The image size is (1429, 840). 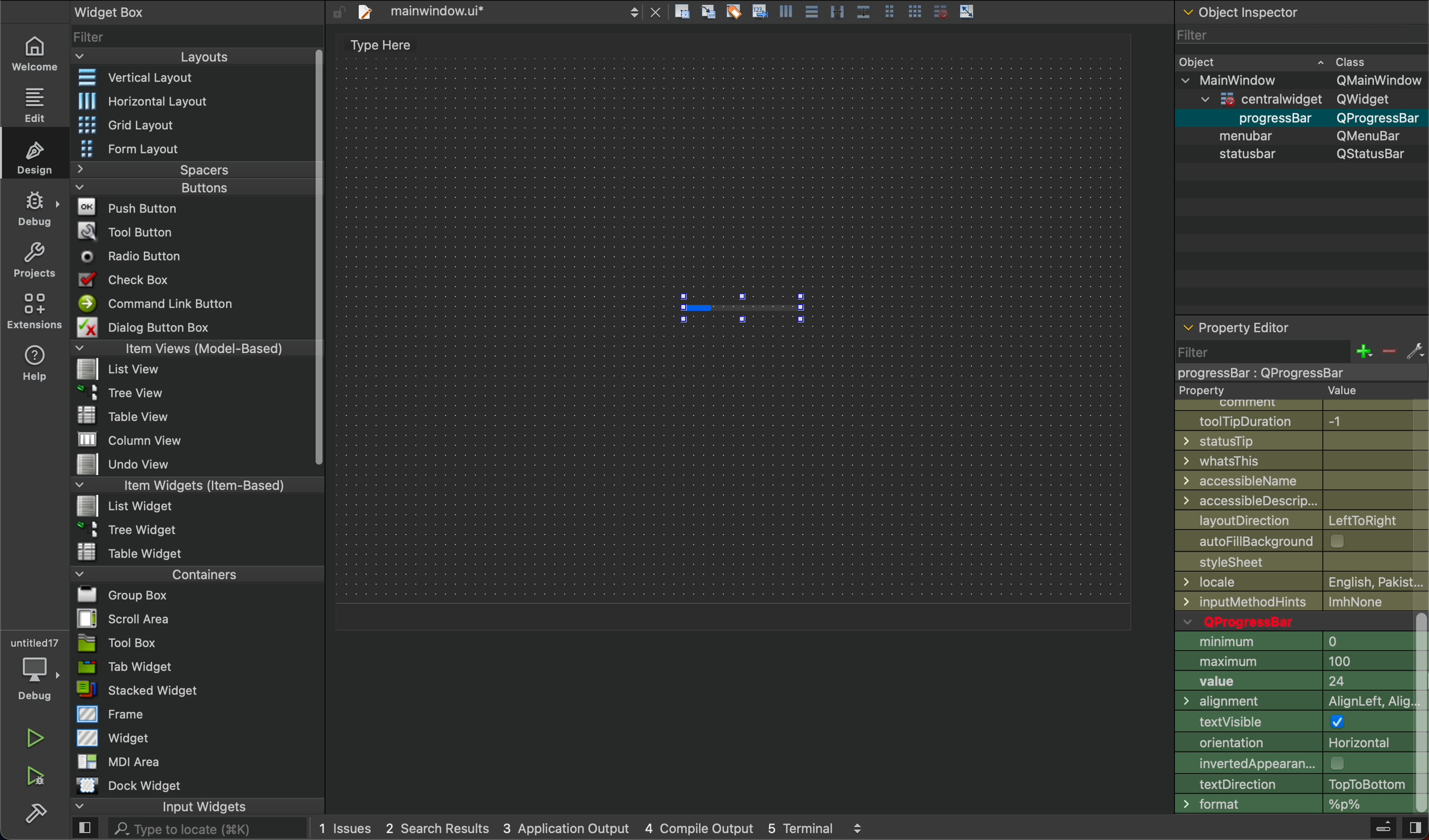 What do you see at coordinates (121, 391) in the screenshot?
I see `File` at bounding box center [121, 391].